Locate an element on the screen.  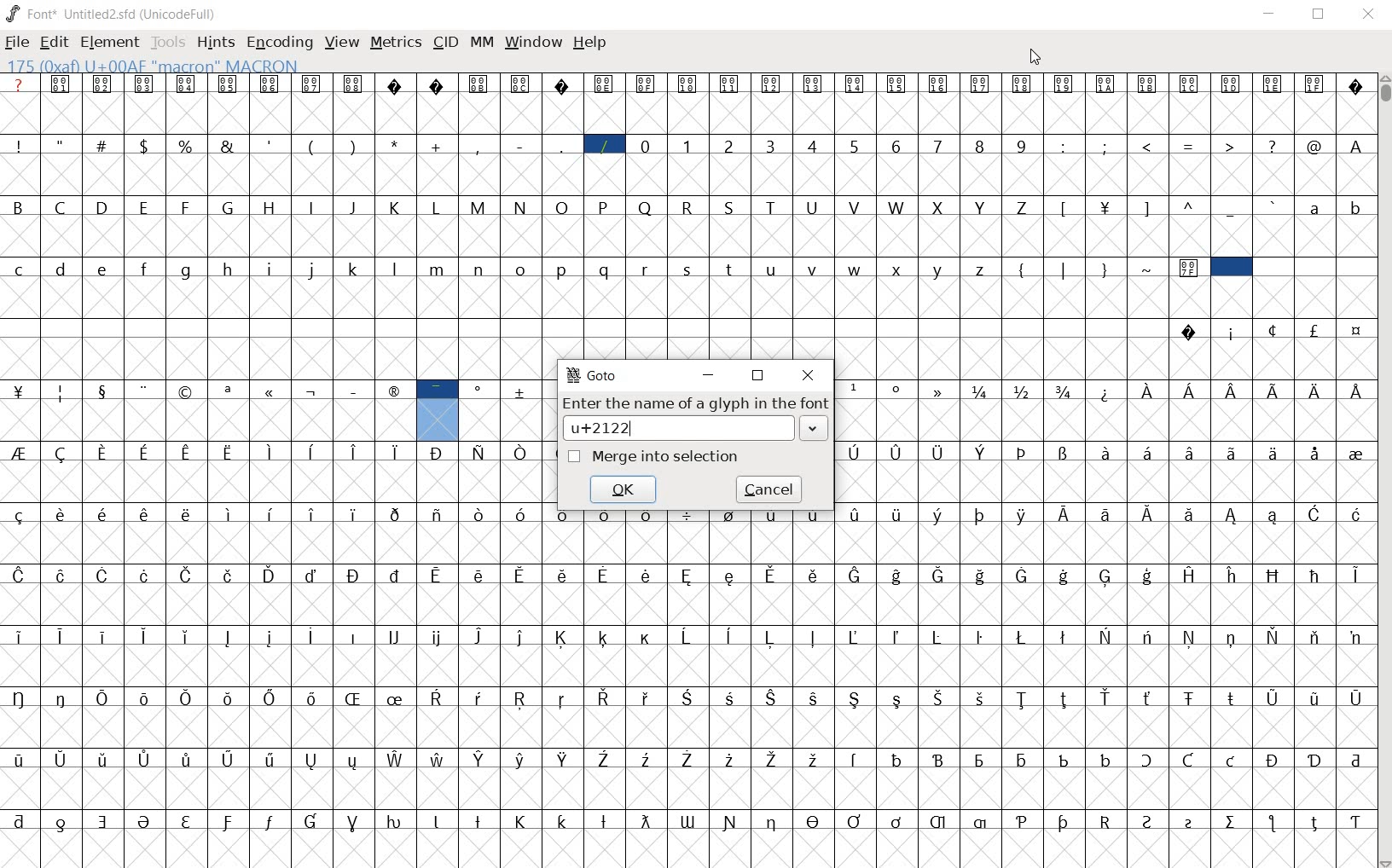
HINTS is located at coordinates (214, 42).